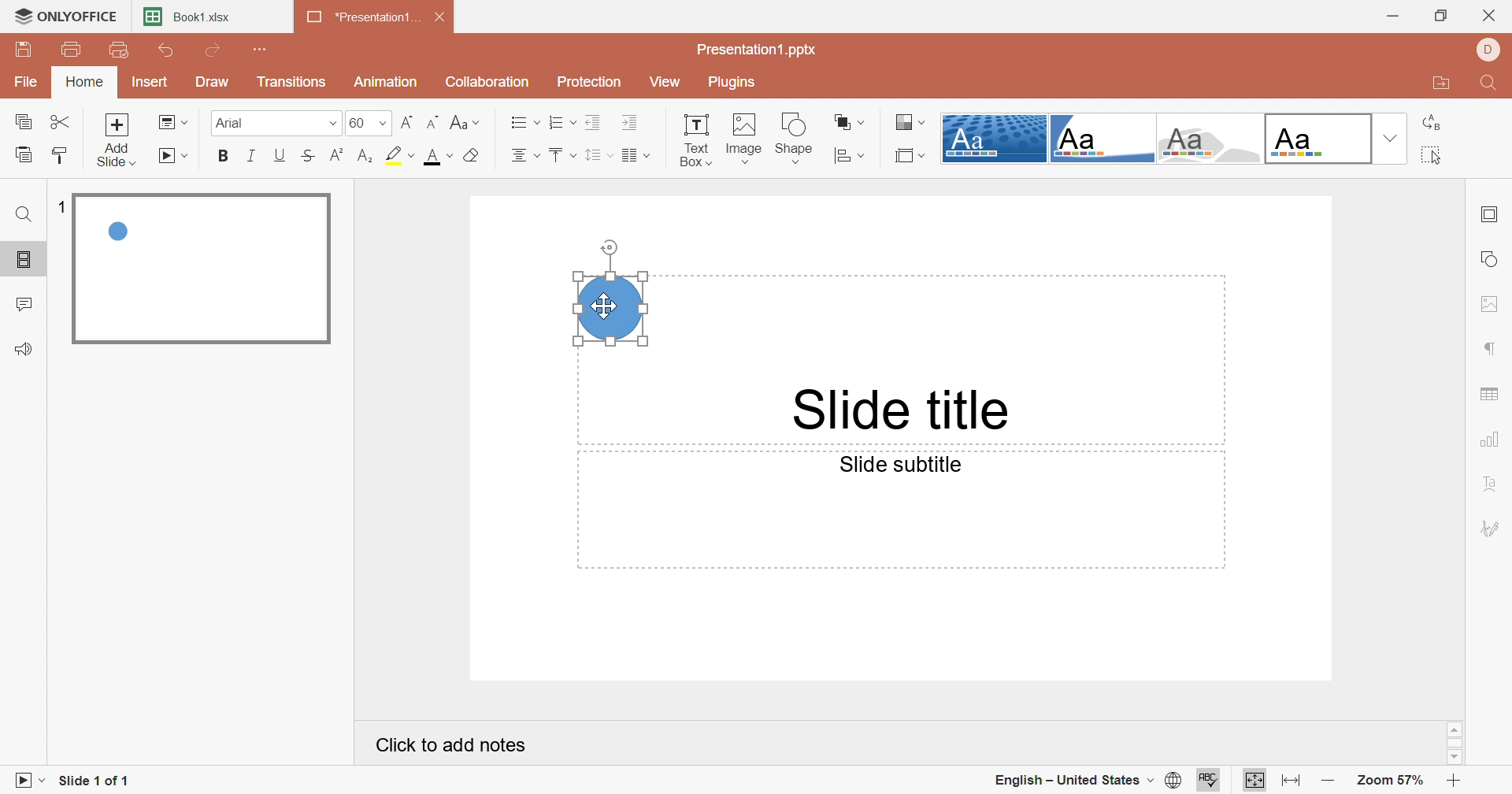  Describe the element at coordinates (1455, 743) in the screenshot. I see `Scroll bar` at that location.